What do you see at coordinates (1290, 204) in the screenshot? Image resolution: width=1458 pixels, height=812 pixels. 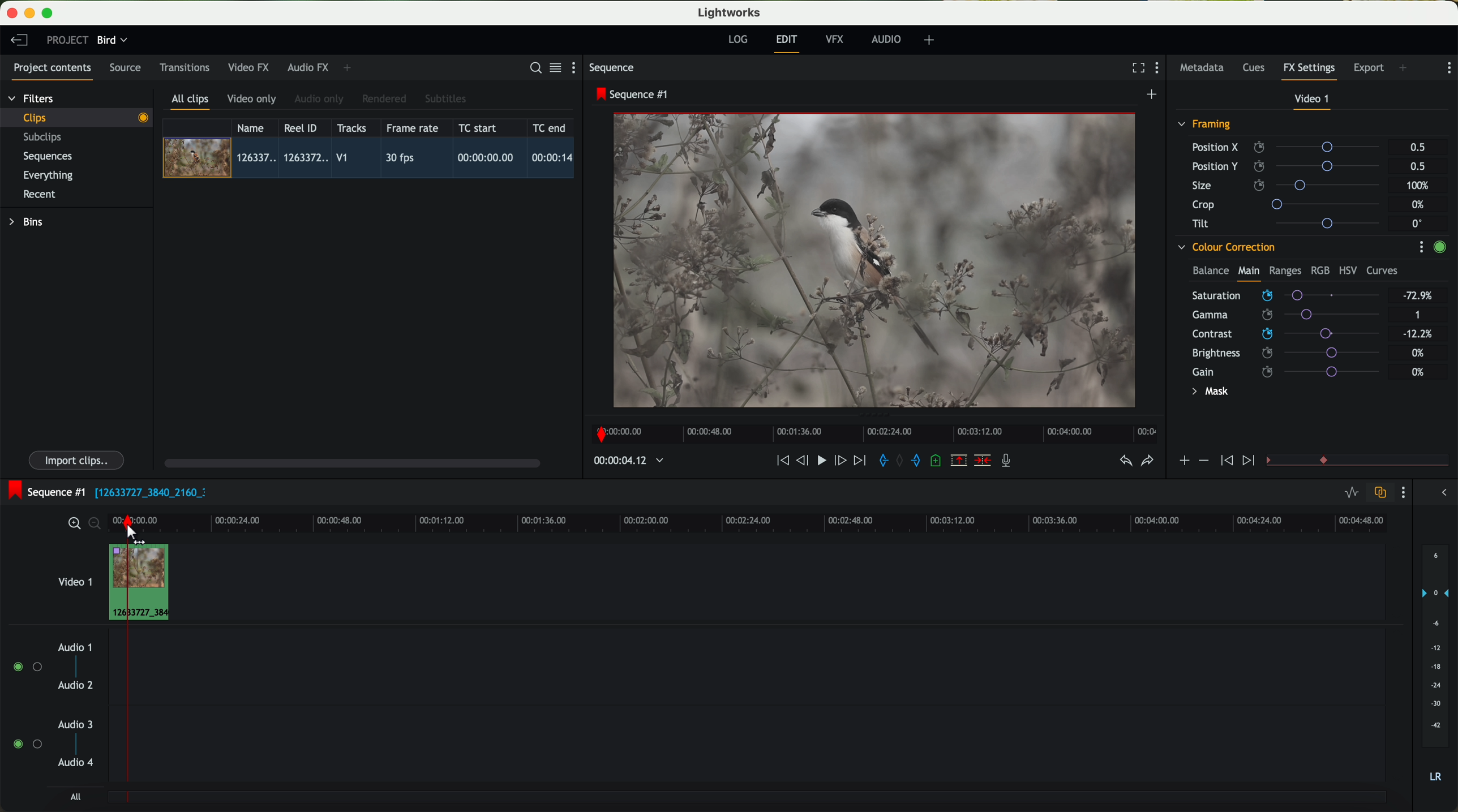 I see `crop` at bounding box center [1290, 204].